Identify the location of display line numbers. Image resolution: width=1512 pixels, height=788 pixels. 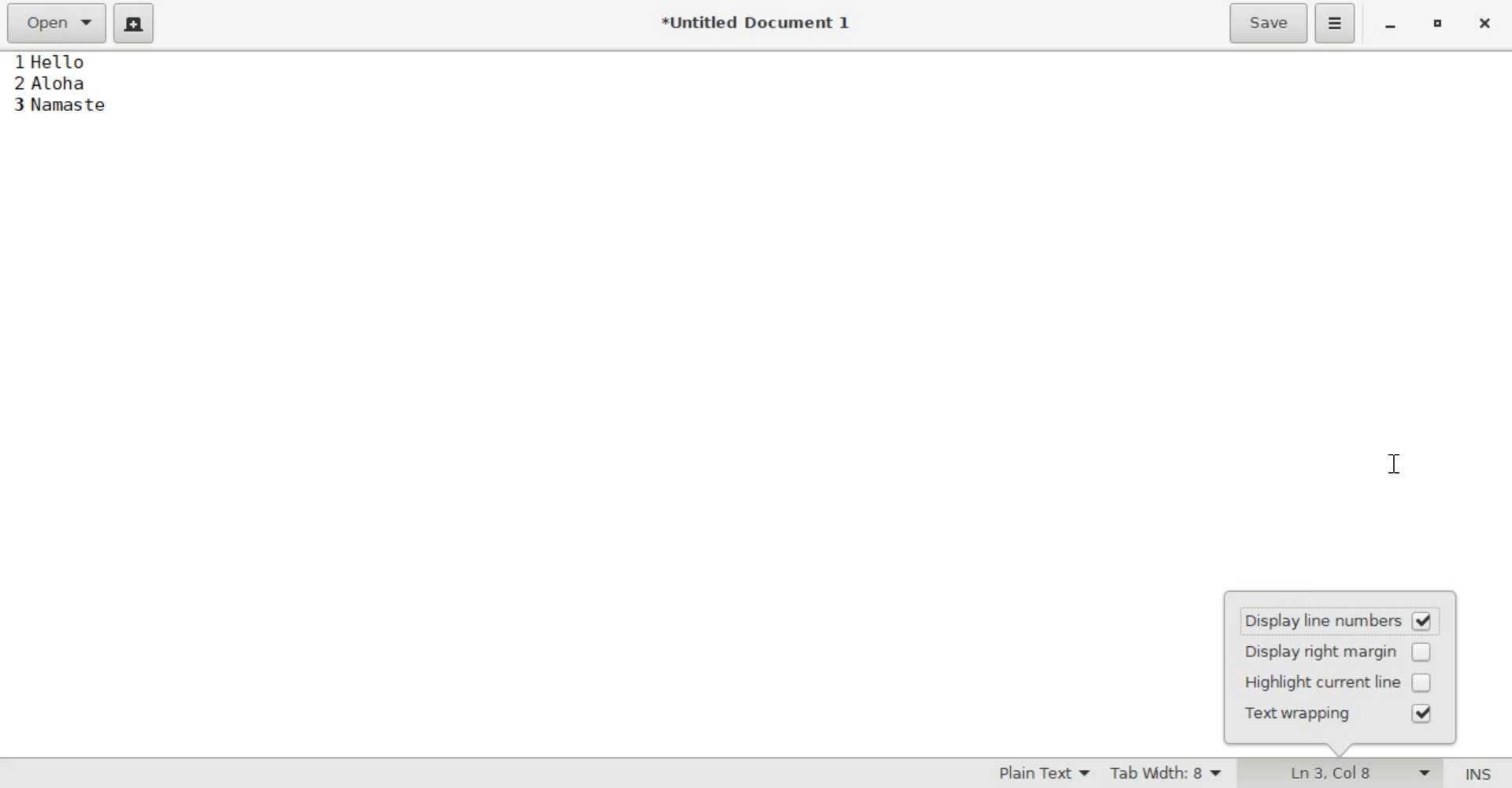
(1317, 623).